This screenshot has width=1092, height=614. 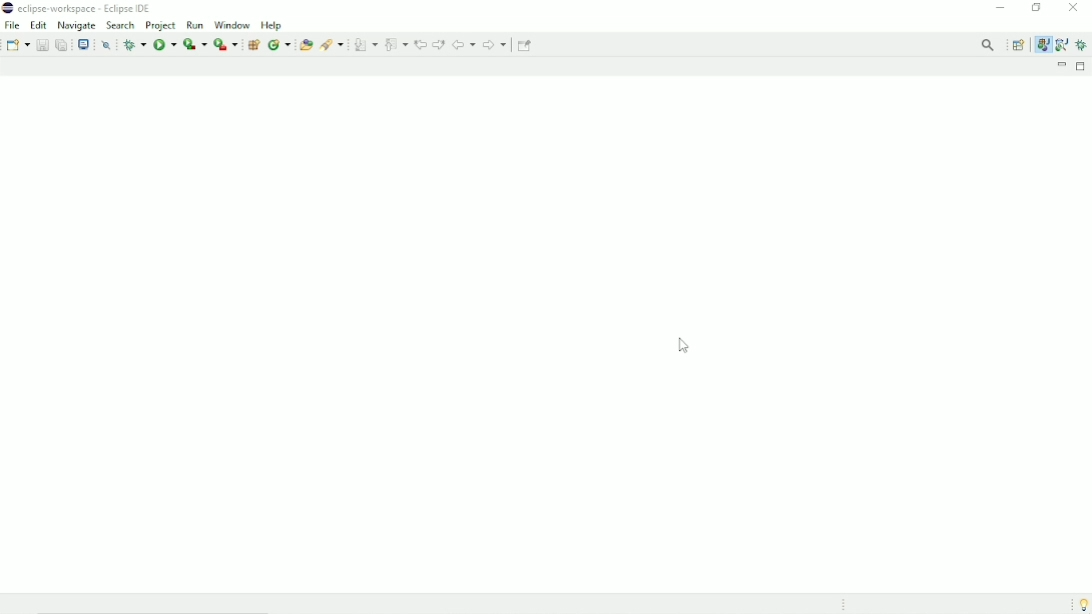 I want to click on Minimize, so click(x=1062, y=66).